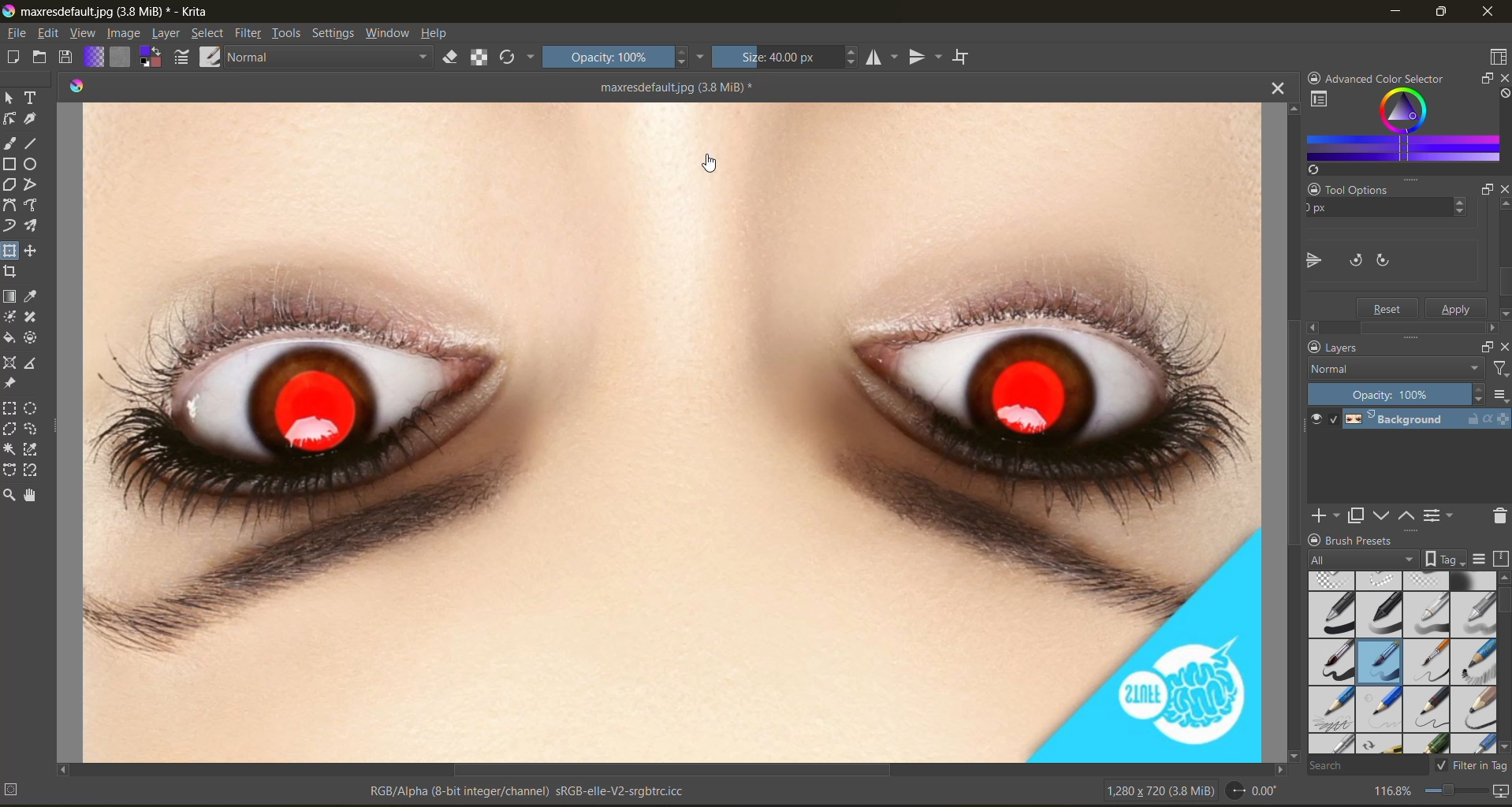 The image size is (1512, 807). I want to click on lock docker, so click(1315, 540).